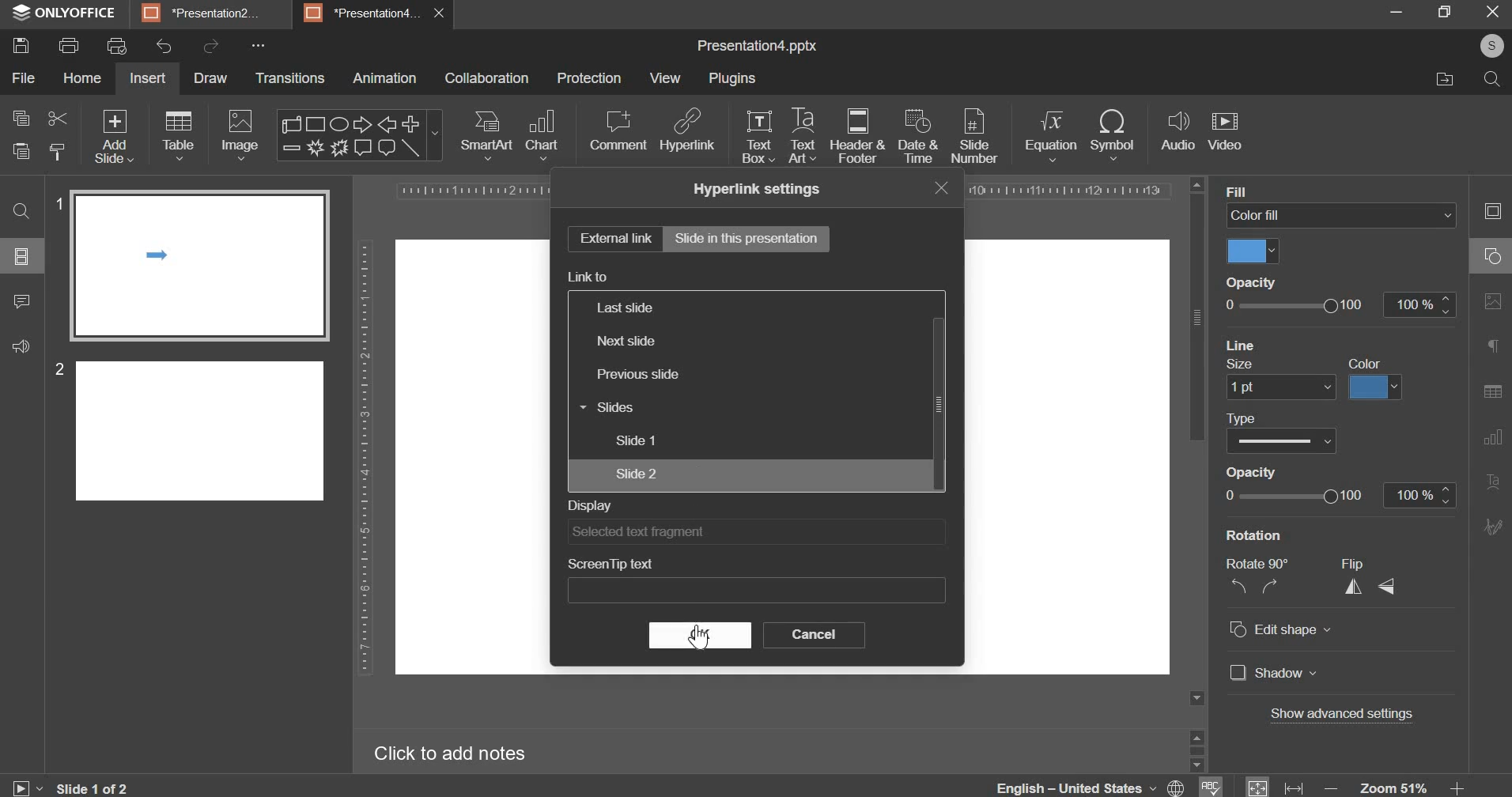 The width and height of the screenshot is (1512, 797). What do you see at coordinates (1197, 308) in the screenshot?
I see `|scroll bar` at bounding box center [1197, 308].